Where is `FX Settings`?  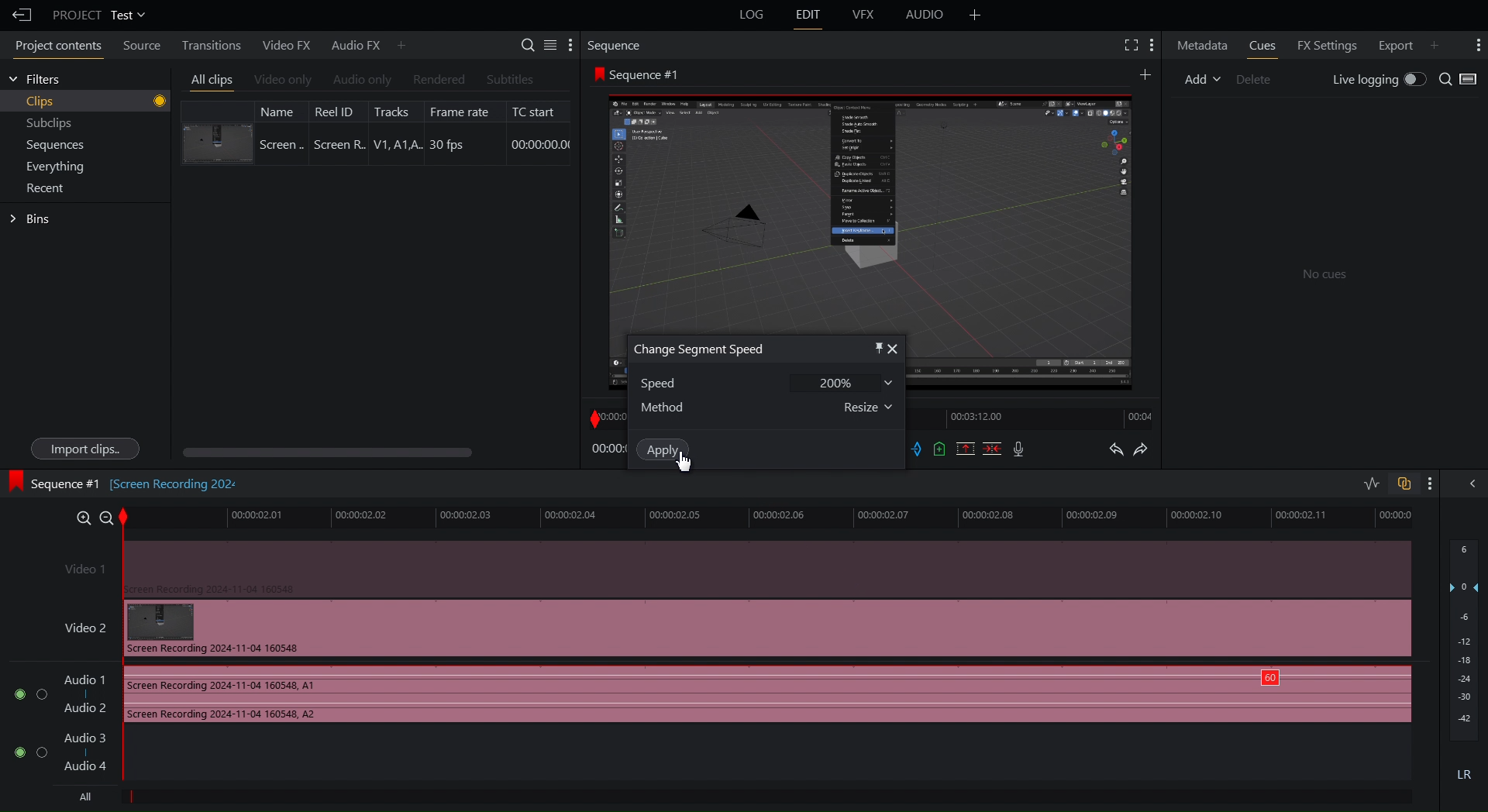 FX Settings is located at coordinates (1324, 43).